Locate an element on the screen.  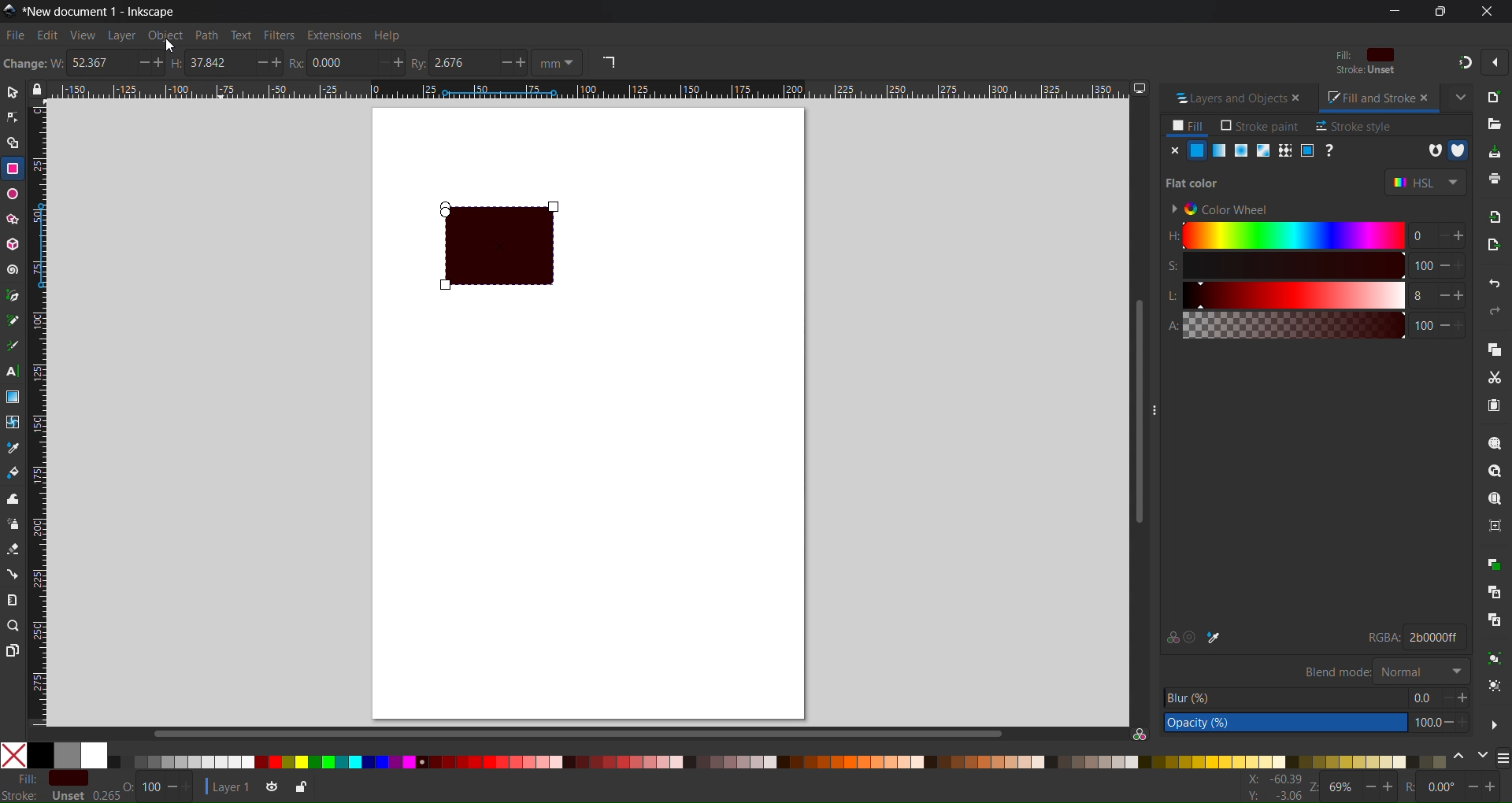
Minimize width is located at coordinates (138, 65).